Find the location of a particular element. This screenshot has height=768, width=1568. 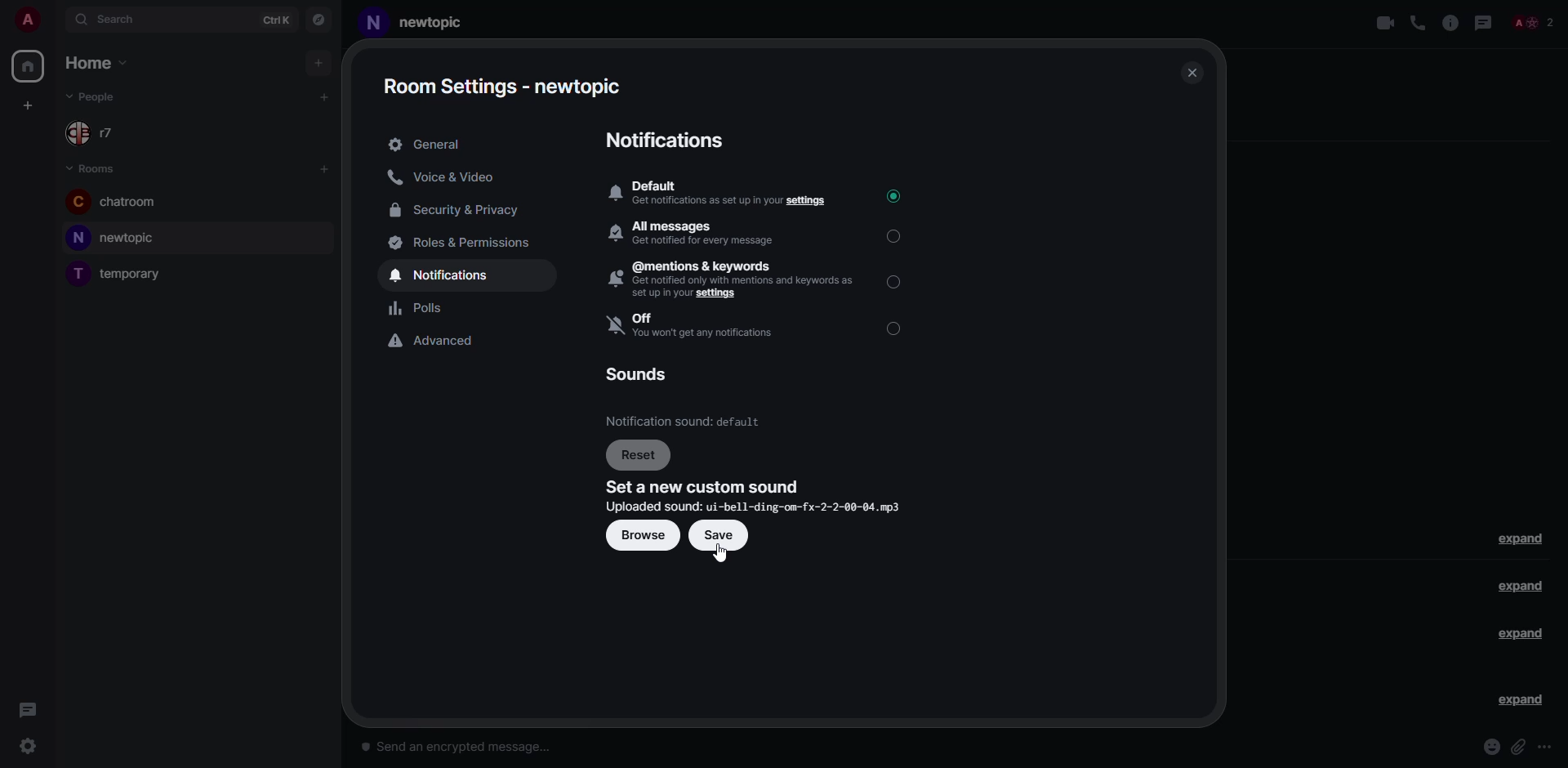

emoji is located at coordinates (1491, 747).